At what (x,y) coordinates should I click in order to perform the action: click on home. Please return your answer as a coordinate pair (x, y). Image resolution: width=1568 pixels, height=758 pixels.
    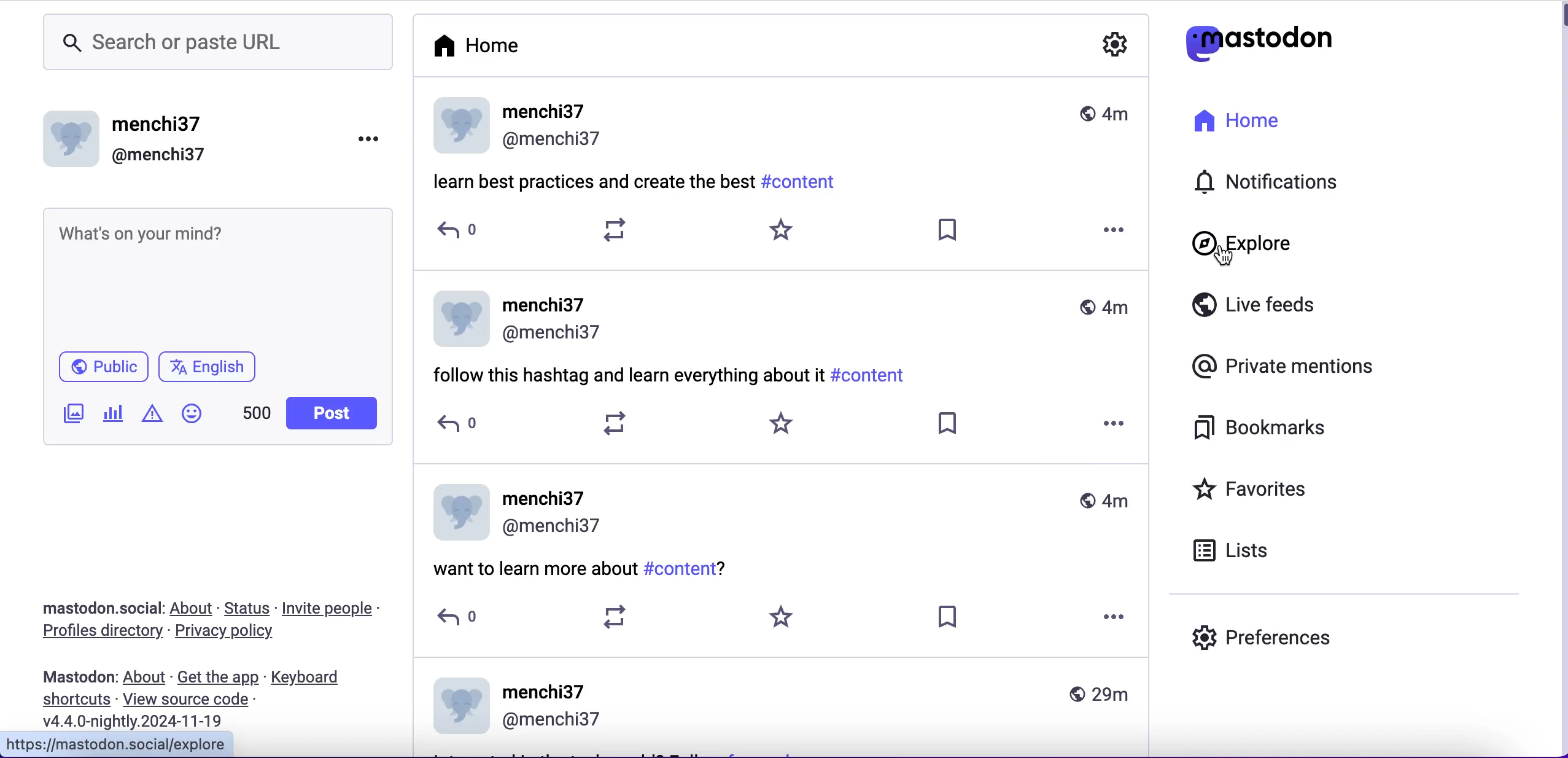
    Looking at the image, I should click on (481, 45).